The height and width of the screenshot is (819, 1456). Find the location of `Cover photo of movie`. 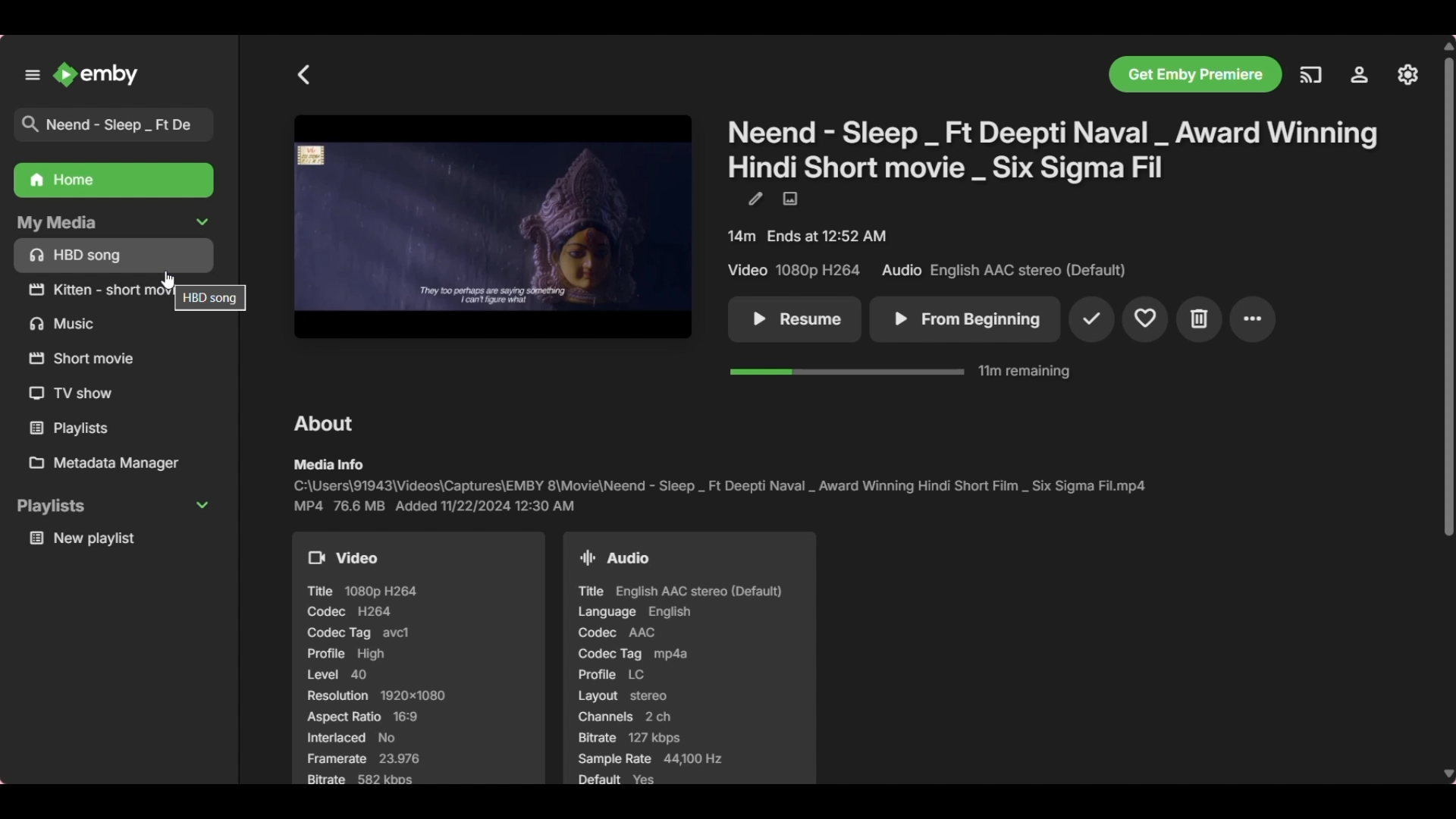

Cover photo of movie is located at coordinates (493, 227).